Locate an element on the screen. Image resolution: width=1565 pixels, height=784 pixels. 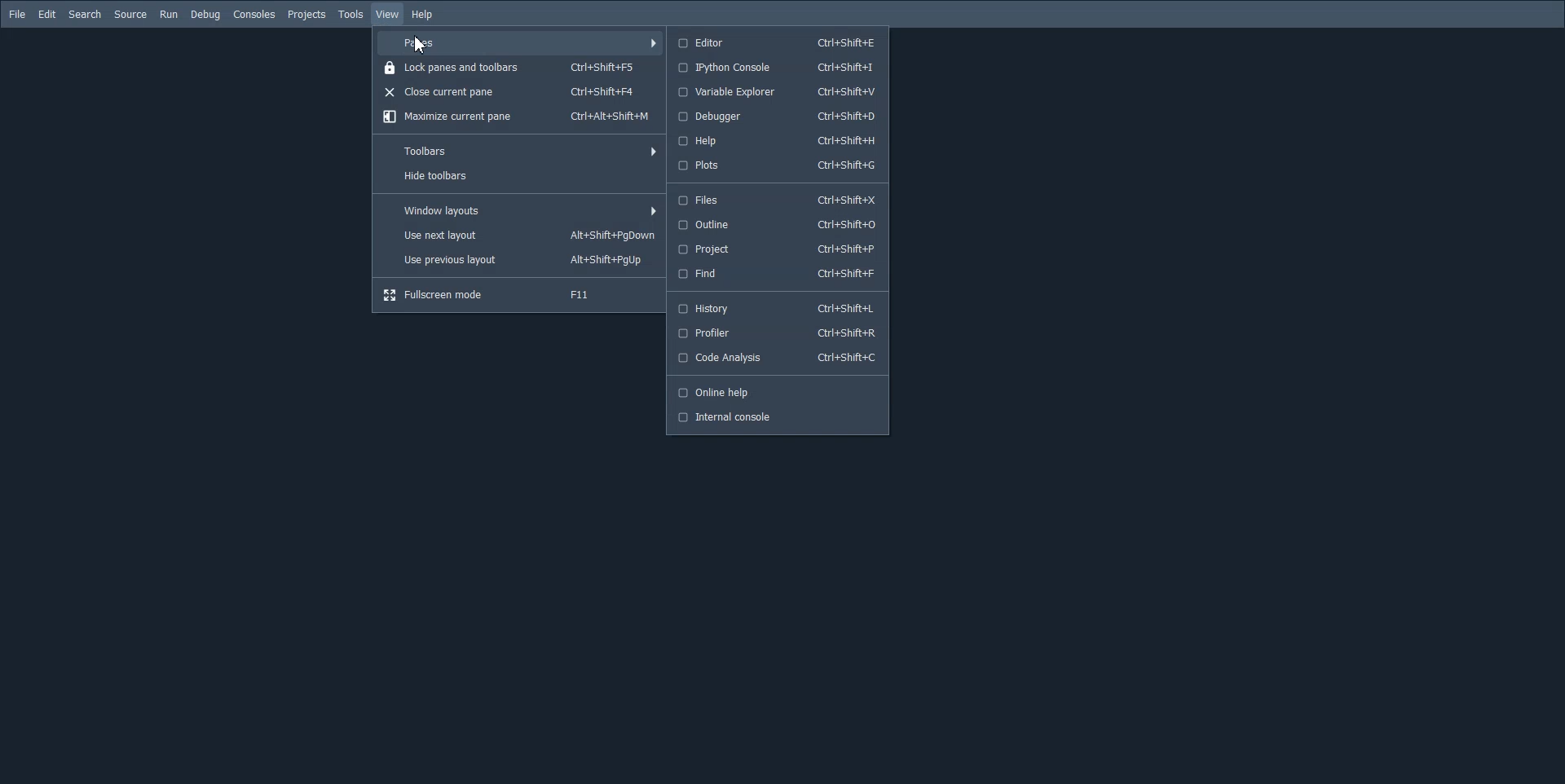
Variable explorer is located at coordinates (778, 91).